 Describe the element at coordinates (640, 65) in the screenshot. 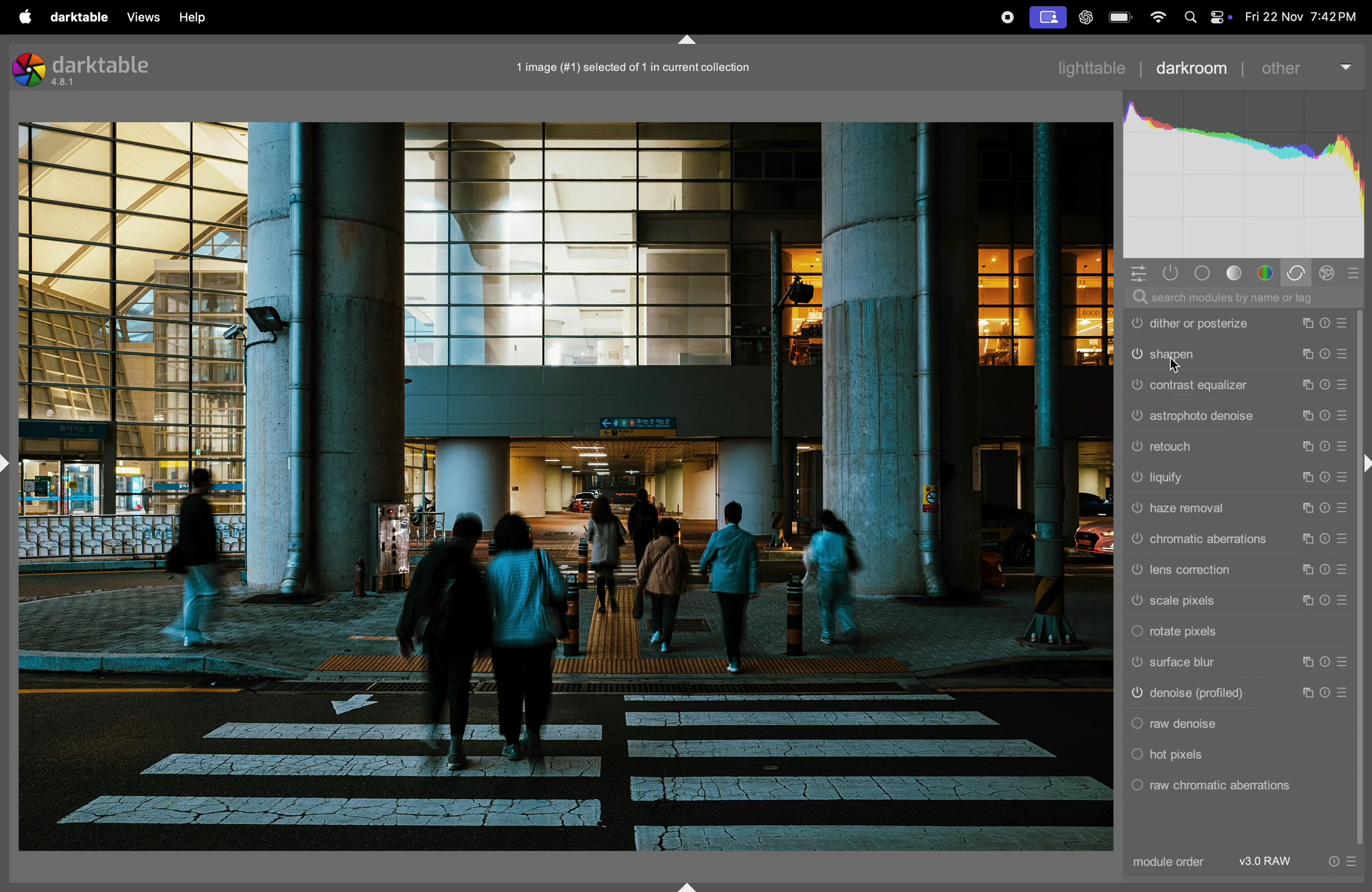

I see `1 image` at that location.